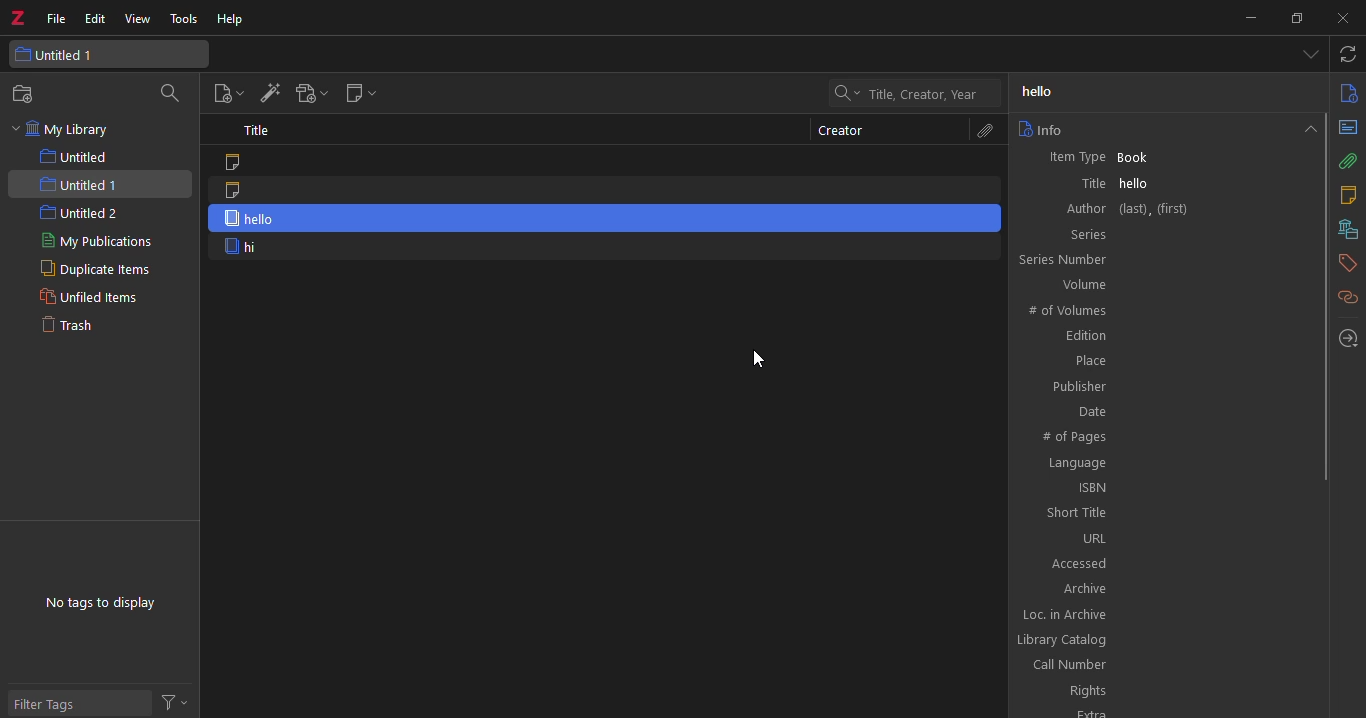  What do you see at coordinates (86, 298) in the screenshot?
I see `unfiled items` at bounding box center [86, 298].